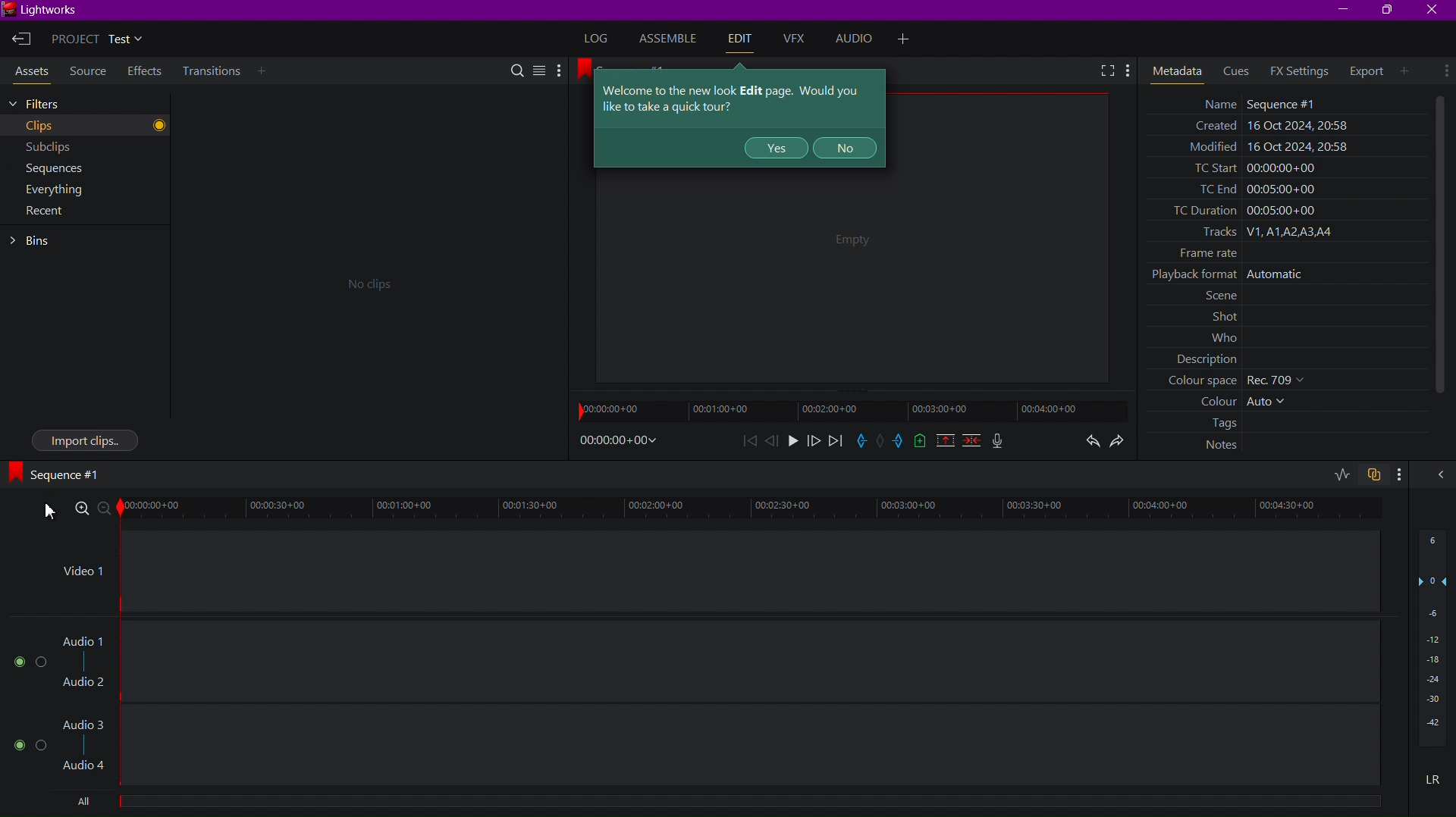 The width and height of the screenshot is (1456, 817). What do you see at coordinates (81, 509) in the screenshot?
I see `Zoom In` at bounding box center [81, 509].